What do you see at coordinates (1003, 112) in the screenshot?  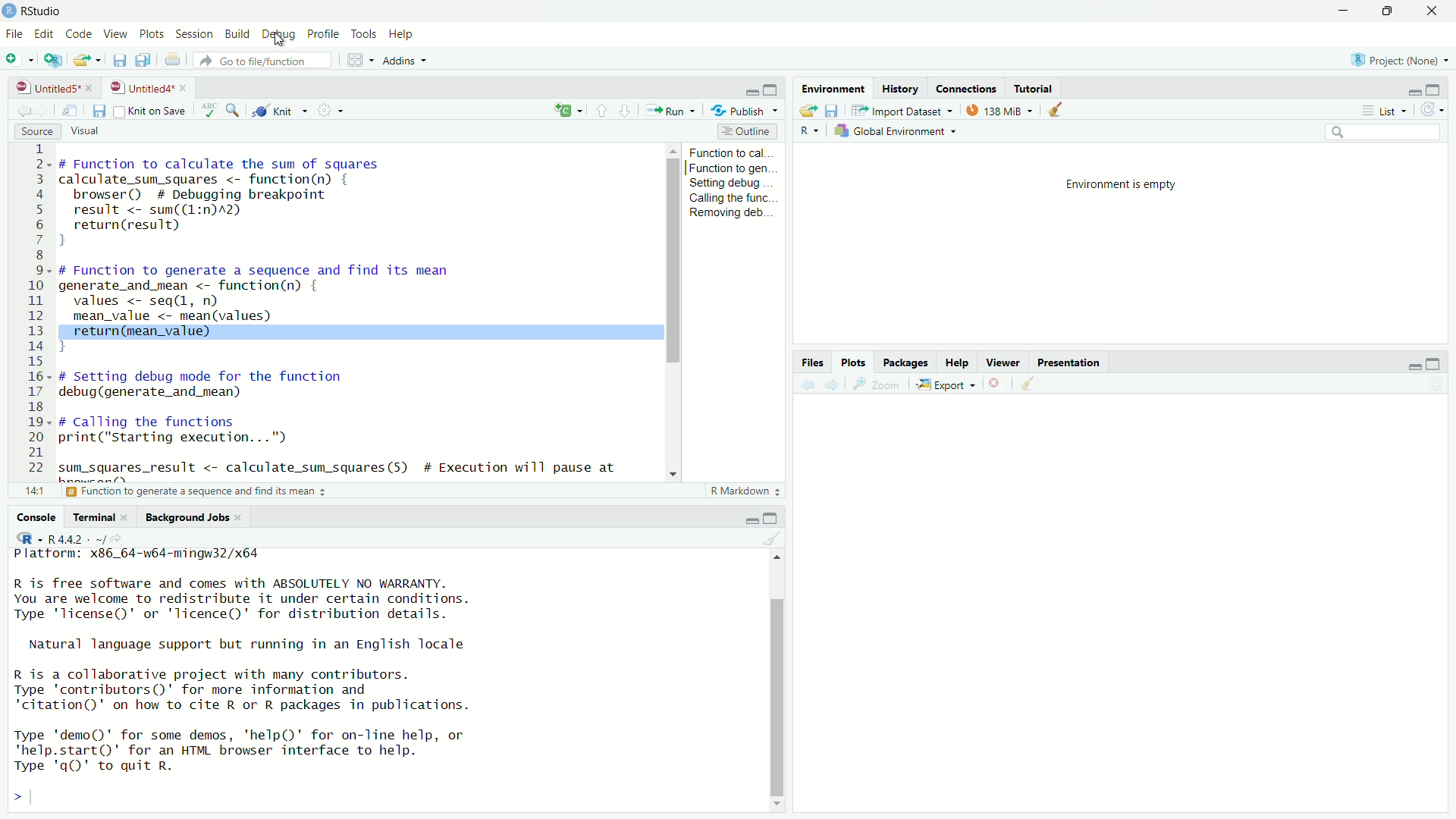 I see `138 MiB` at bounding box center [1003, 112].